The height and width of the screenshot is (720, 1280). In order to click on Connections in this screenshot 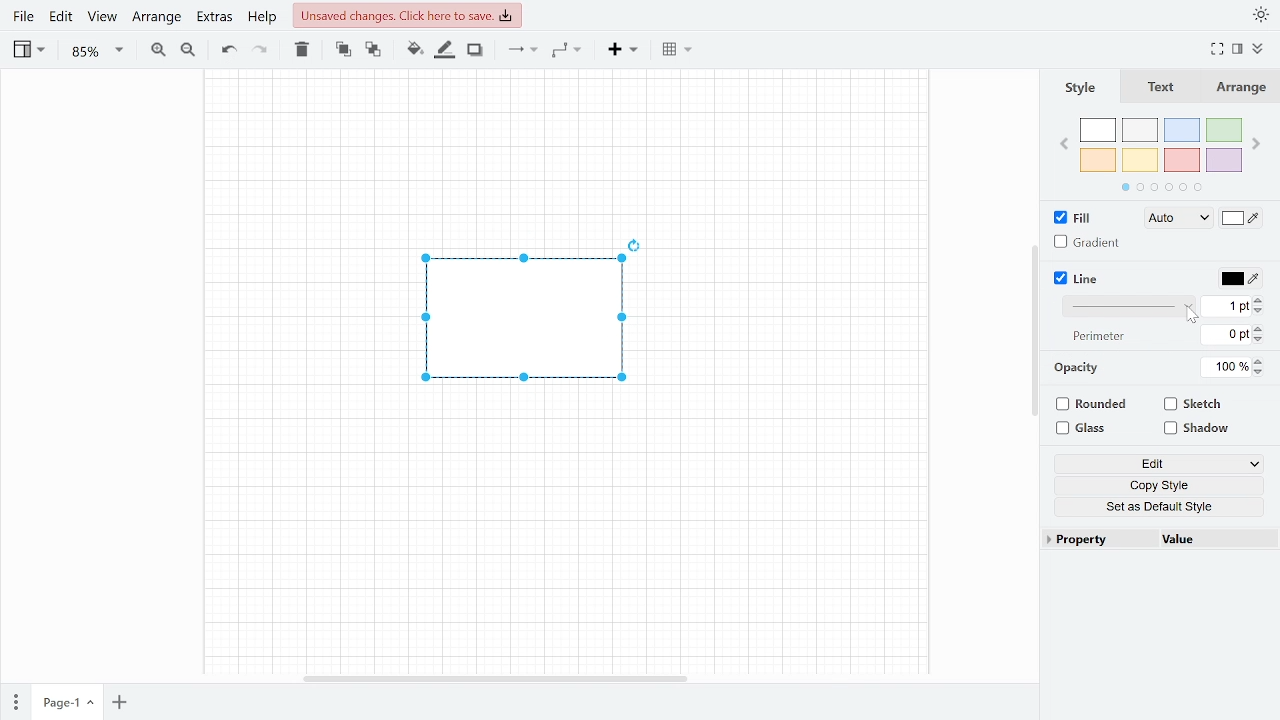, I will do `click(523, 51)`.